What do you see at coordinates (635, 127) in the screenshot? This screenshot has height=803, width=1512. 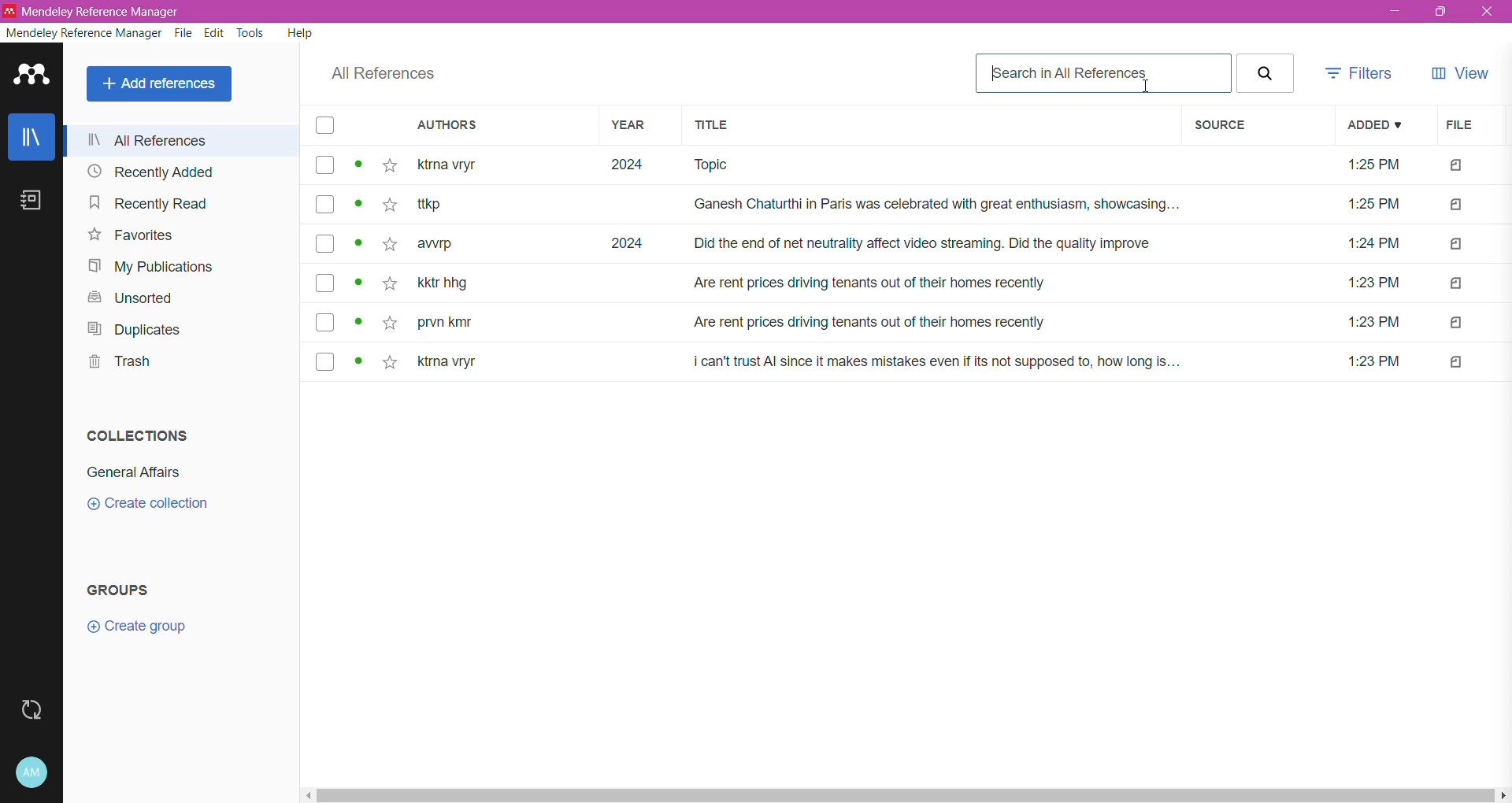 I see `Year` at bounding box center [635, 127].